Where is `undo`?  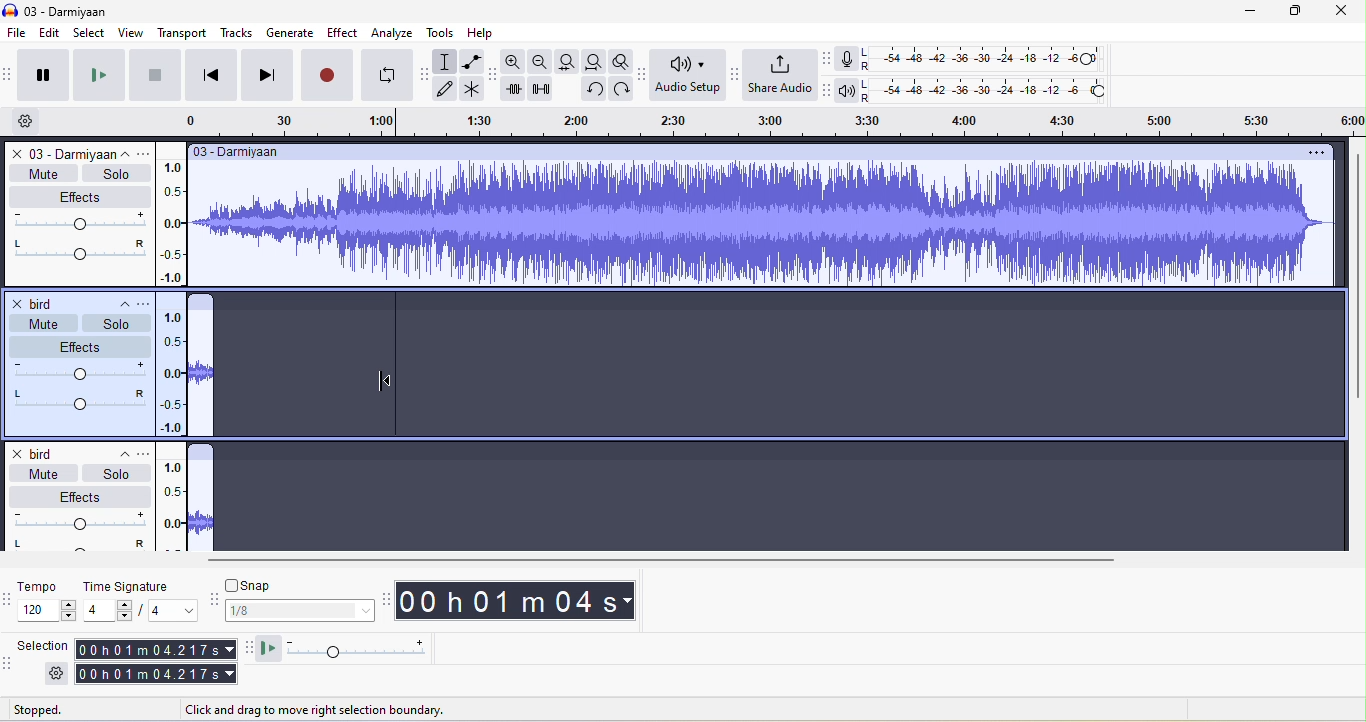 undo is located at coordinates (591, 88).